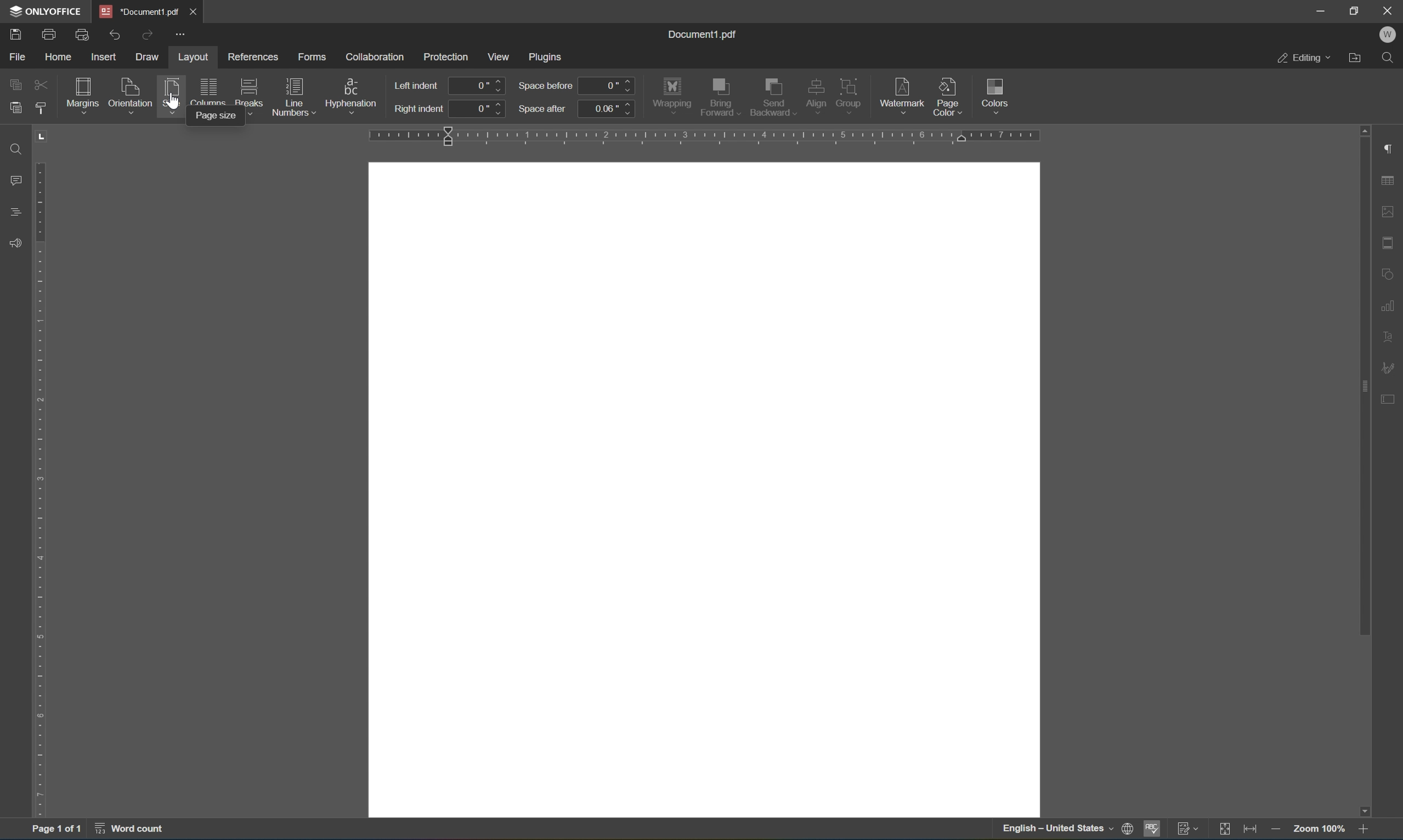  I want to click on group, so click(852, 93).